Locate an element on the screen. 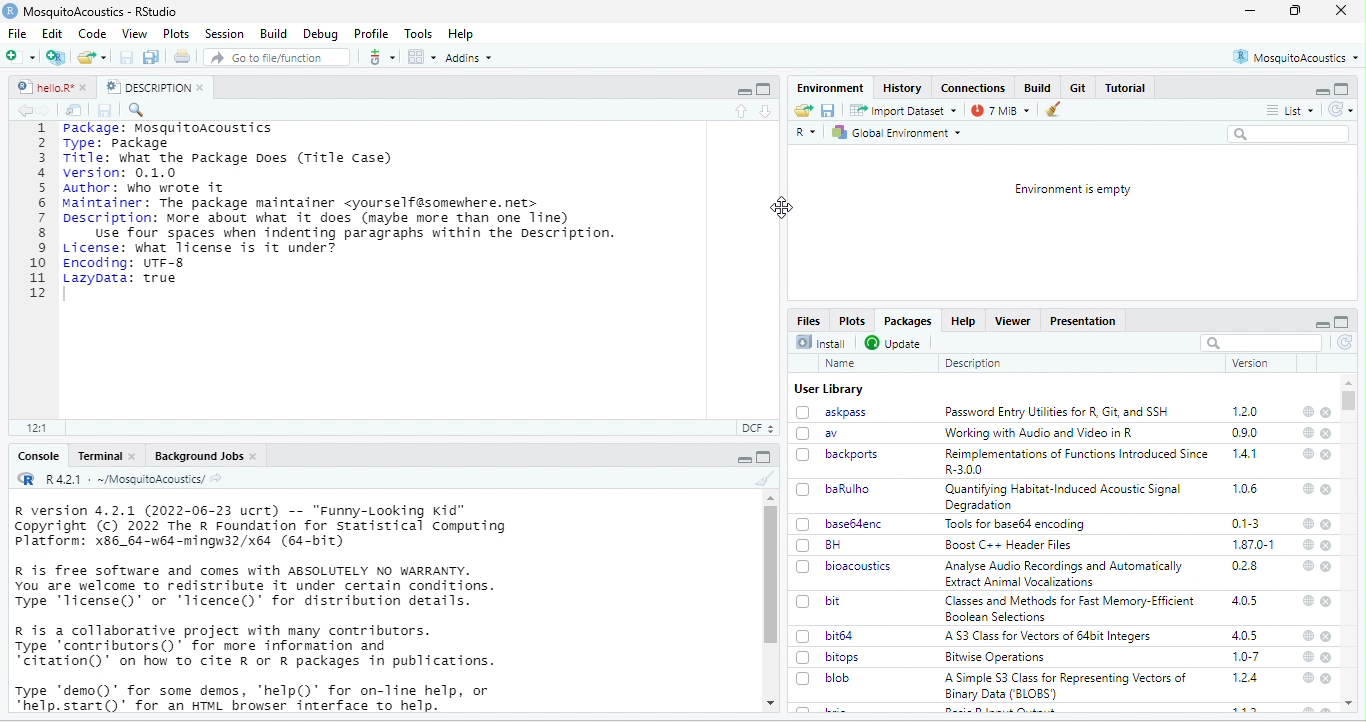  close is located at coordinates (1327, 679).